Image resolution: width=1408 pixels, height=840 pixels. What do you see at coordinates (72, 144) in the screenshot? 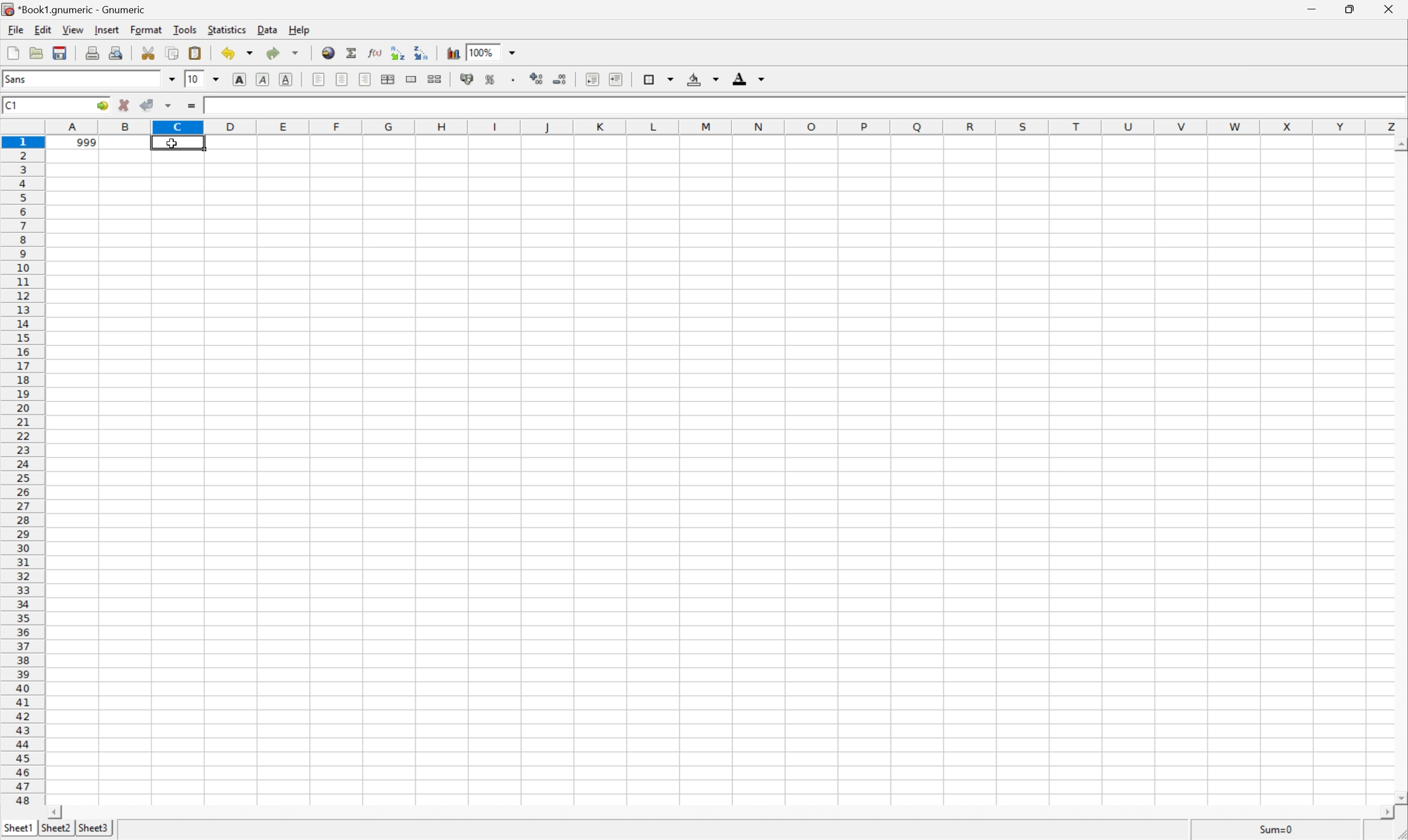
I see `999` at bounding box center [72, 144].